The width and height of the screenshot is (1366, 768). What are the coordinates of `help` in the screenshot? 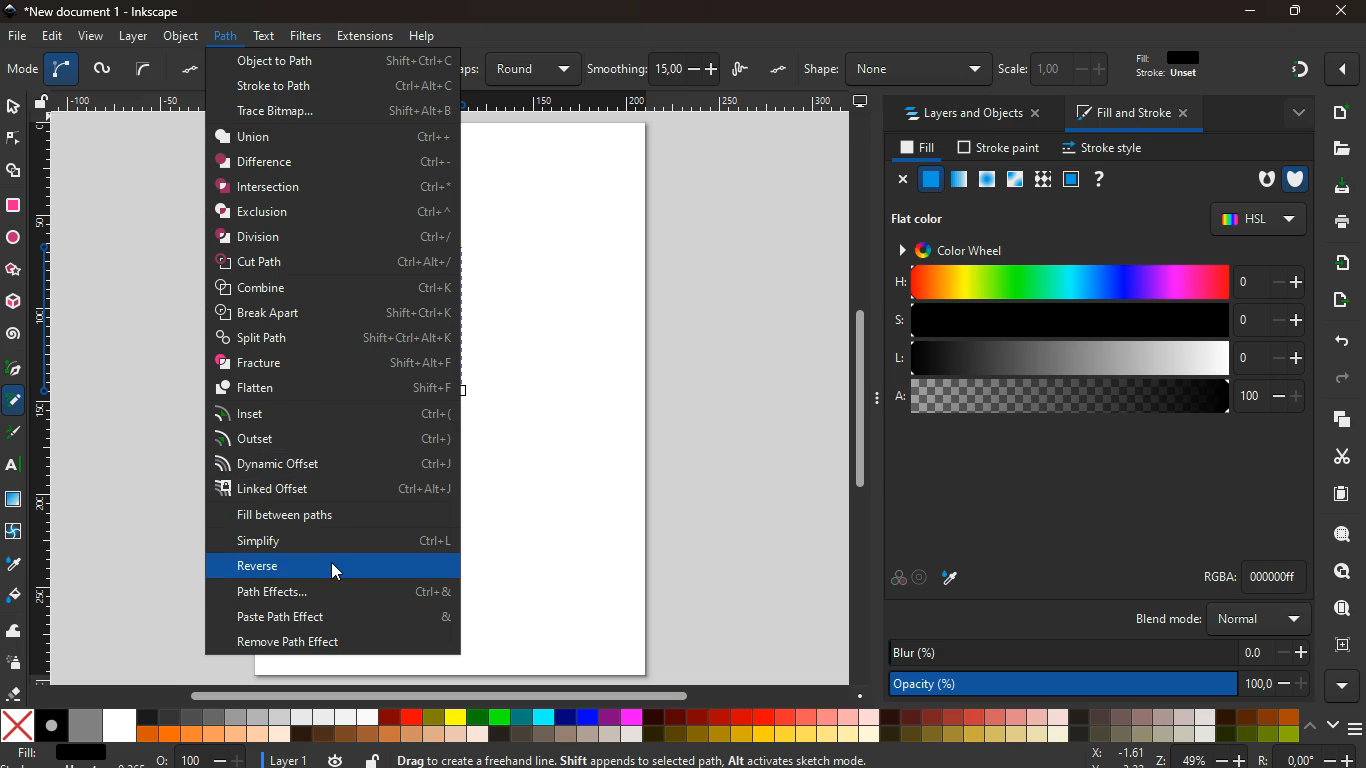 It's located at (423, 37).